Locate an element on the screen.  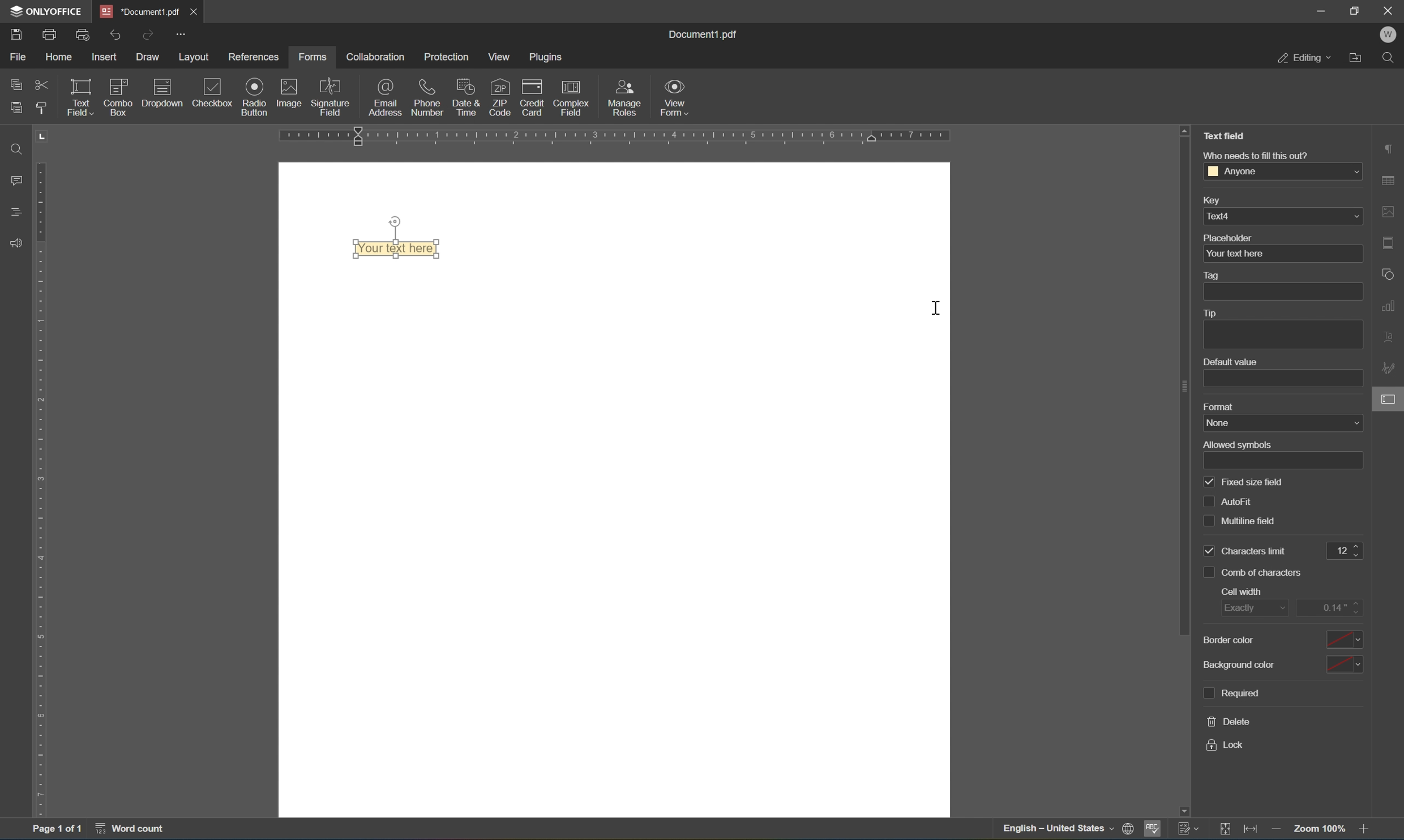
fixed size field is located at coordinates (1254, 483).